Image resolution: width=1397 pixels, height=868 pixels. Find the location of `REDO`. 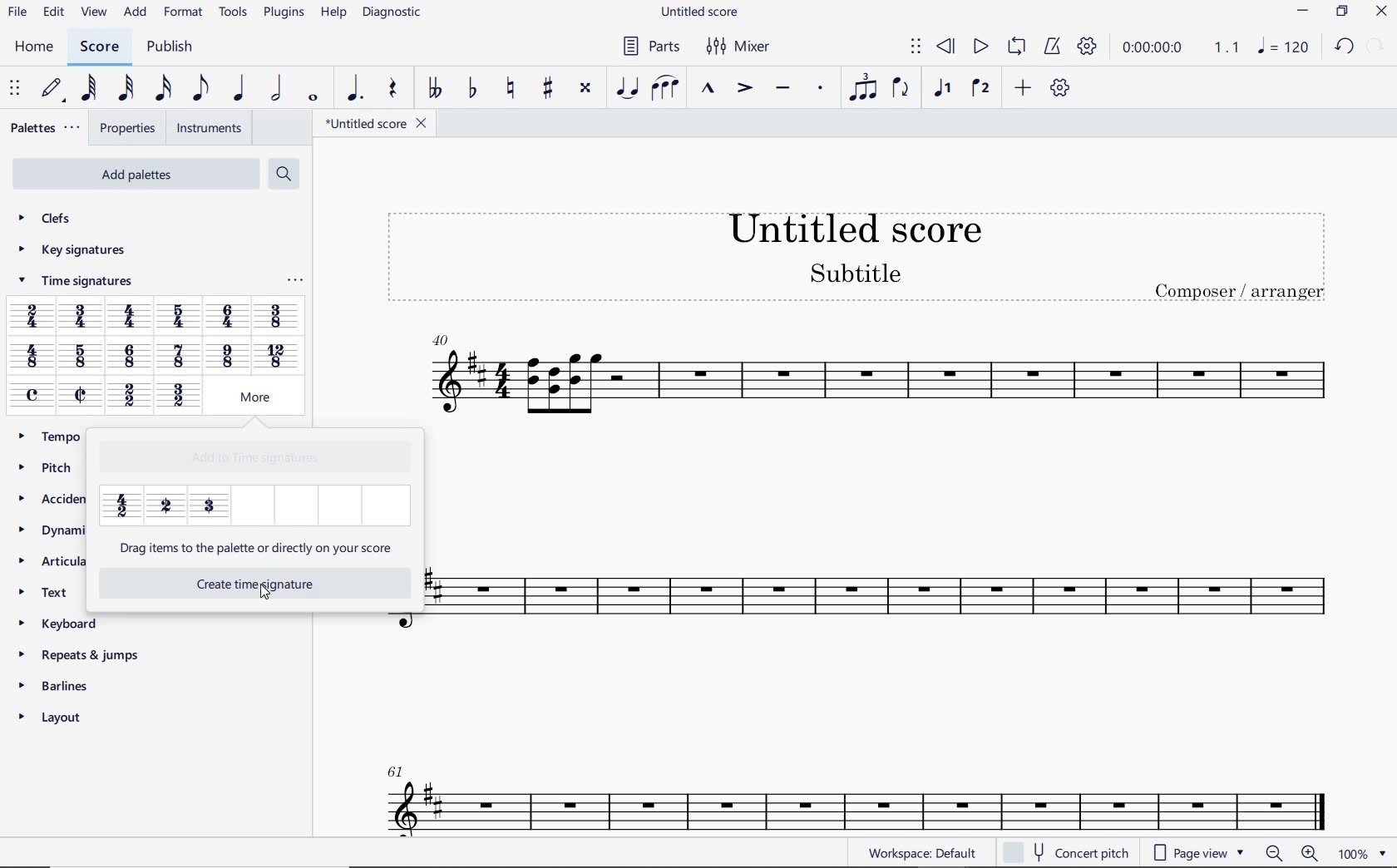

REDO is located at coordinates (1376, 45).